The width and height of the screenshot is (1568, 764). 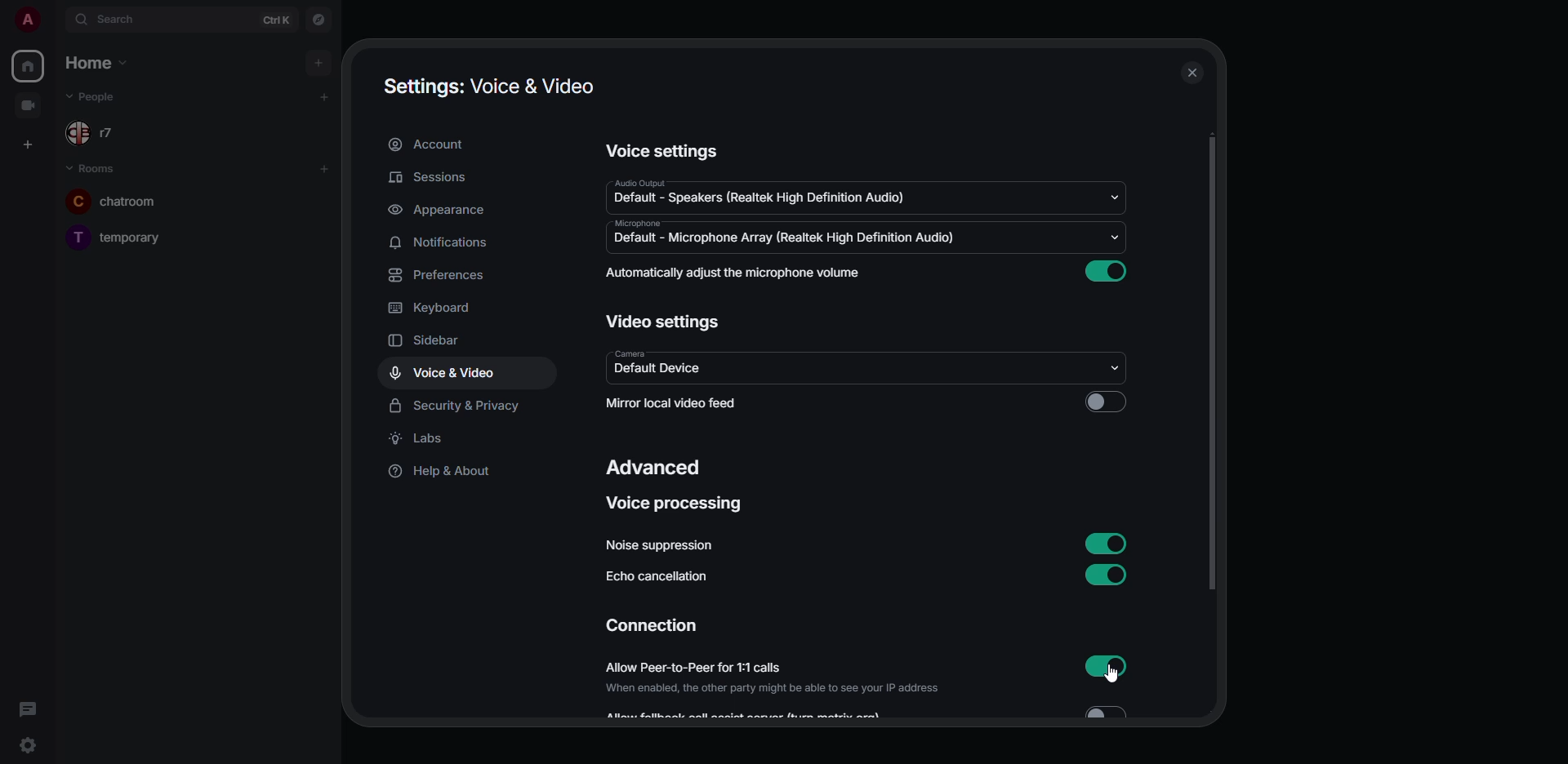 I want to click on allow peer-to-peer for 1:1 calls, so click(x=776, y=678).